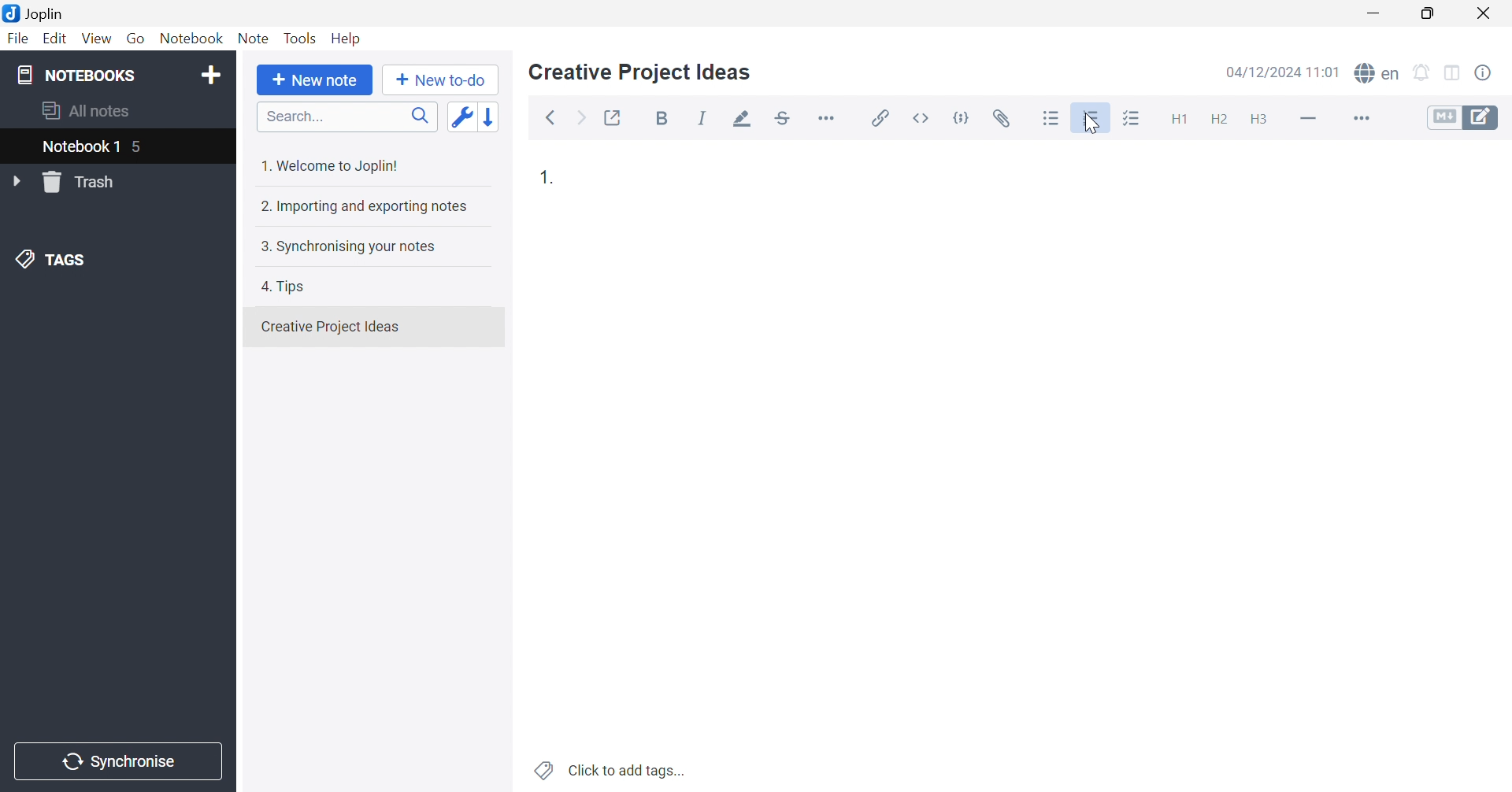  I want to click on Reverse sort order, so click(497, 117).